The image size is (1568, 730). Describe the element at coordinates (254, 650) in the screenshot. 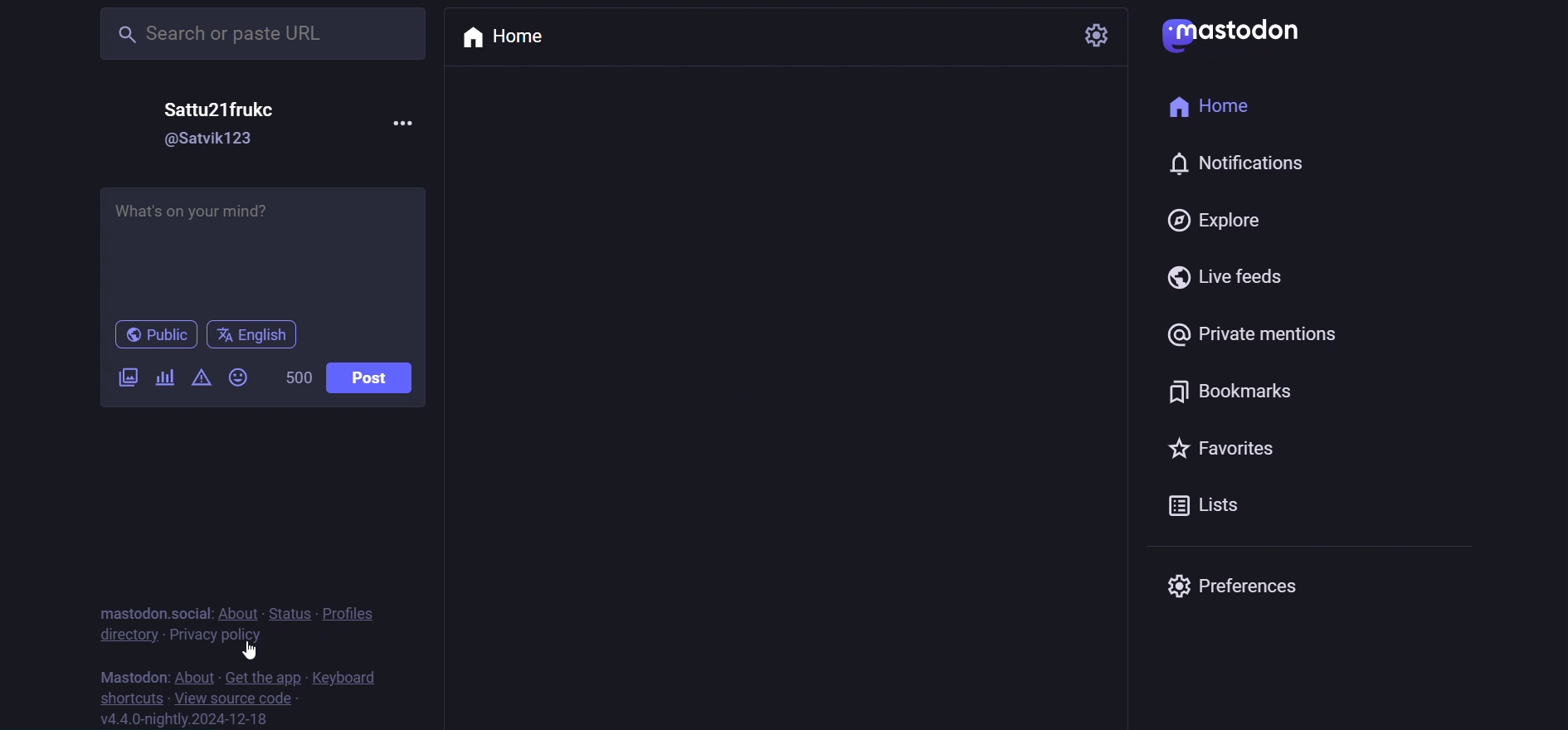

I see `cursor` at that location.